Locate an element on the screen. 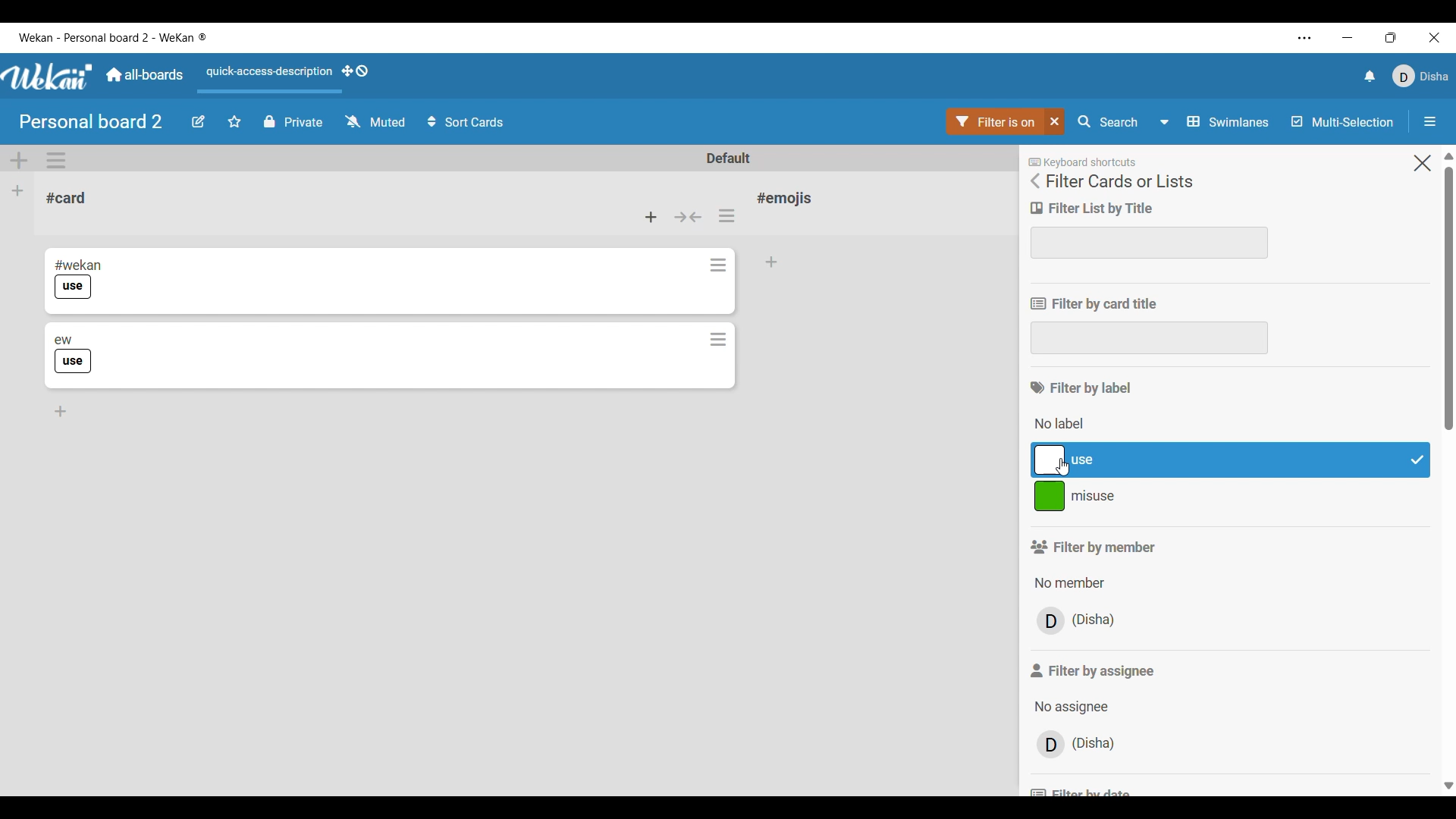 Image resolution: width=1456 pixels, height=819 pixels. Close filter is located at coordinates (1054, 121).